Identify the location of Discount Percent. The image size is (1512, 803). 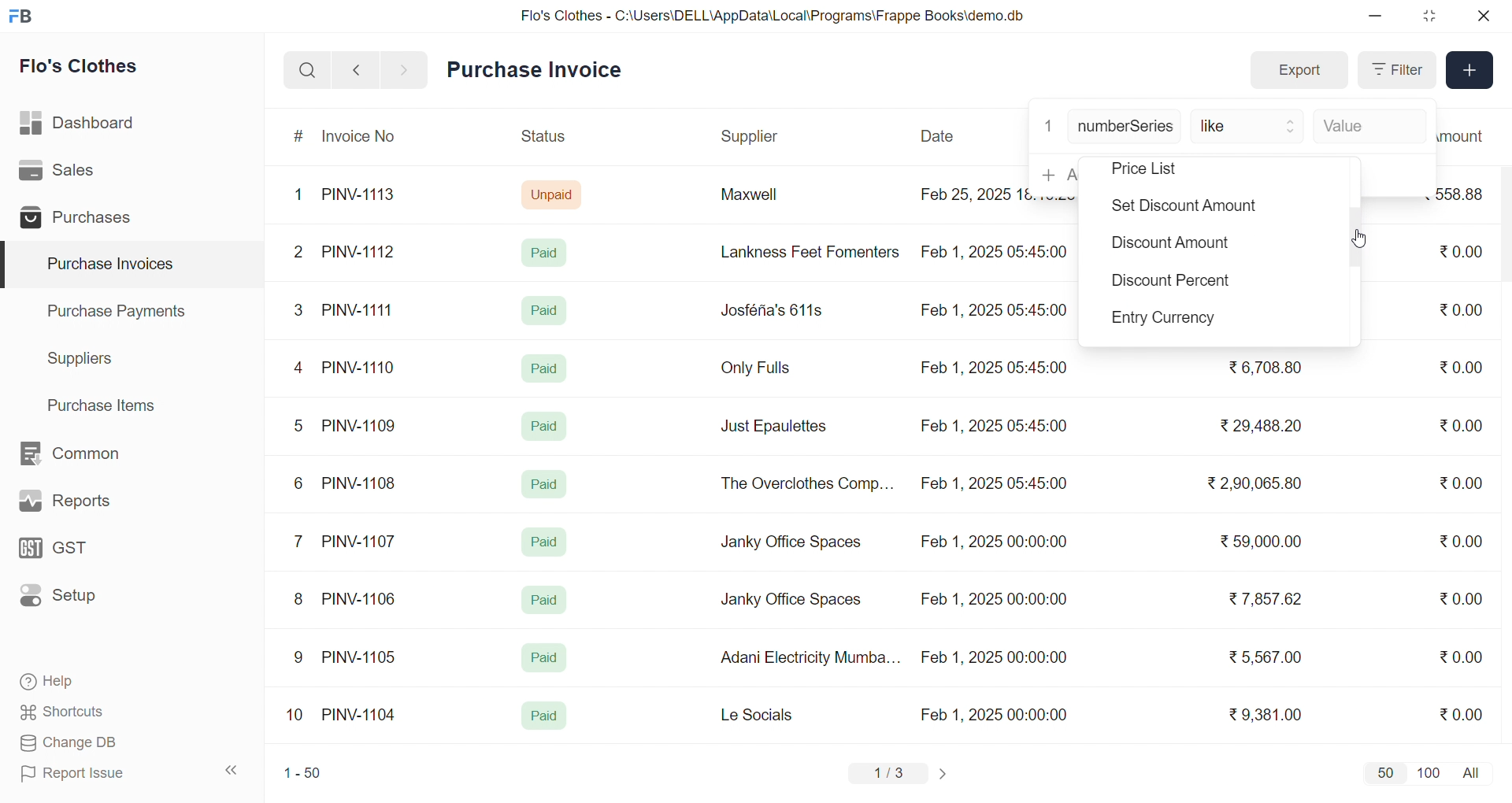
(1172, 283).